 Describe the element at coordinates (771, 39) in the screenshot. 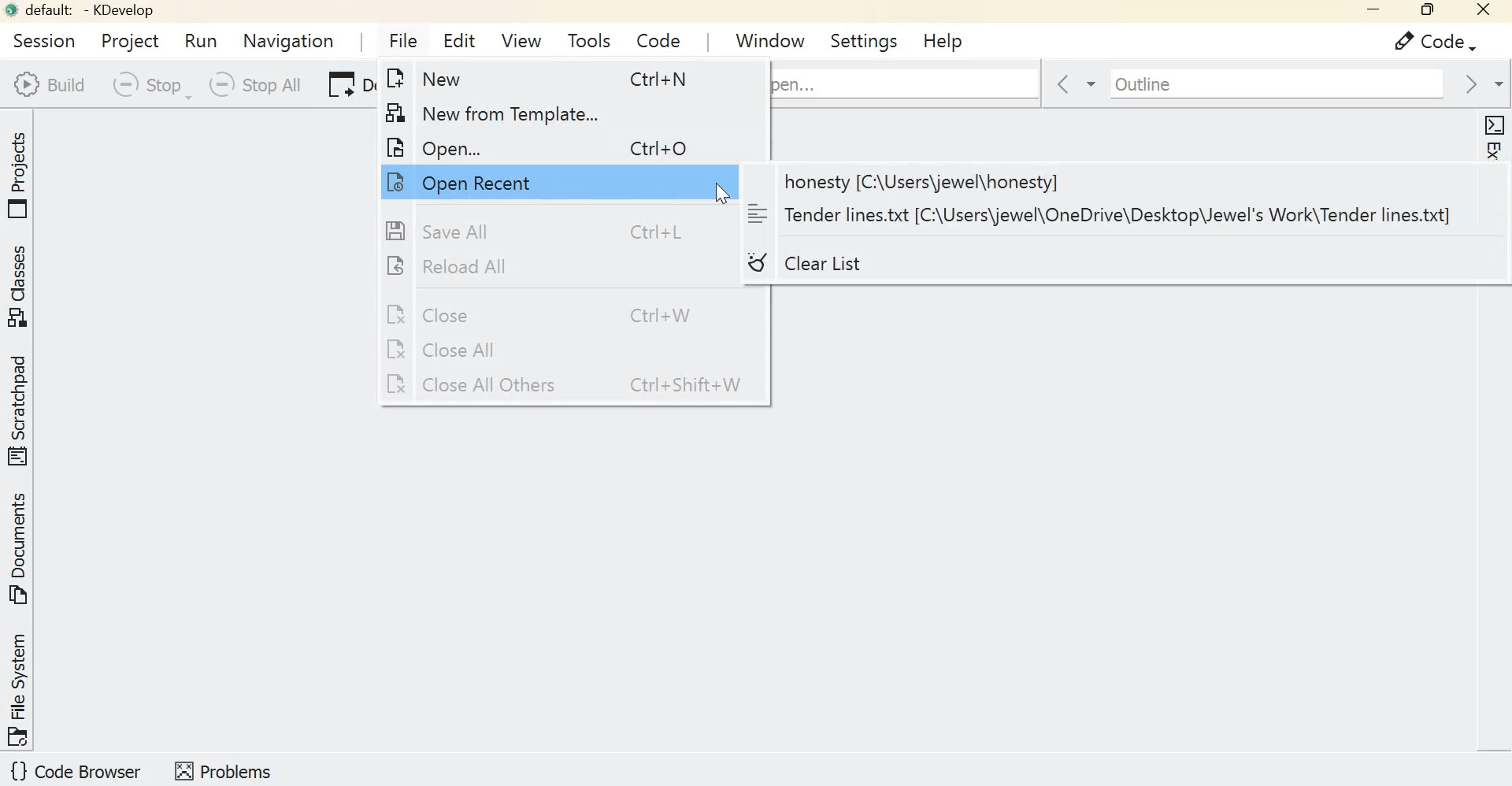

I see `Window` at that location.